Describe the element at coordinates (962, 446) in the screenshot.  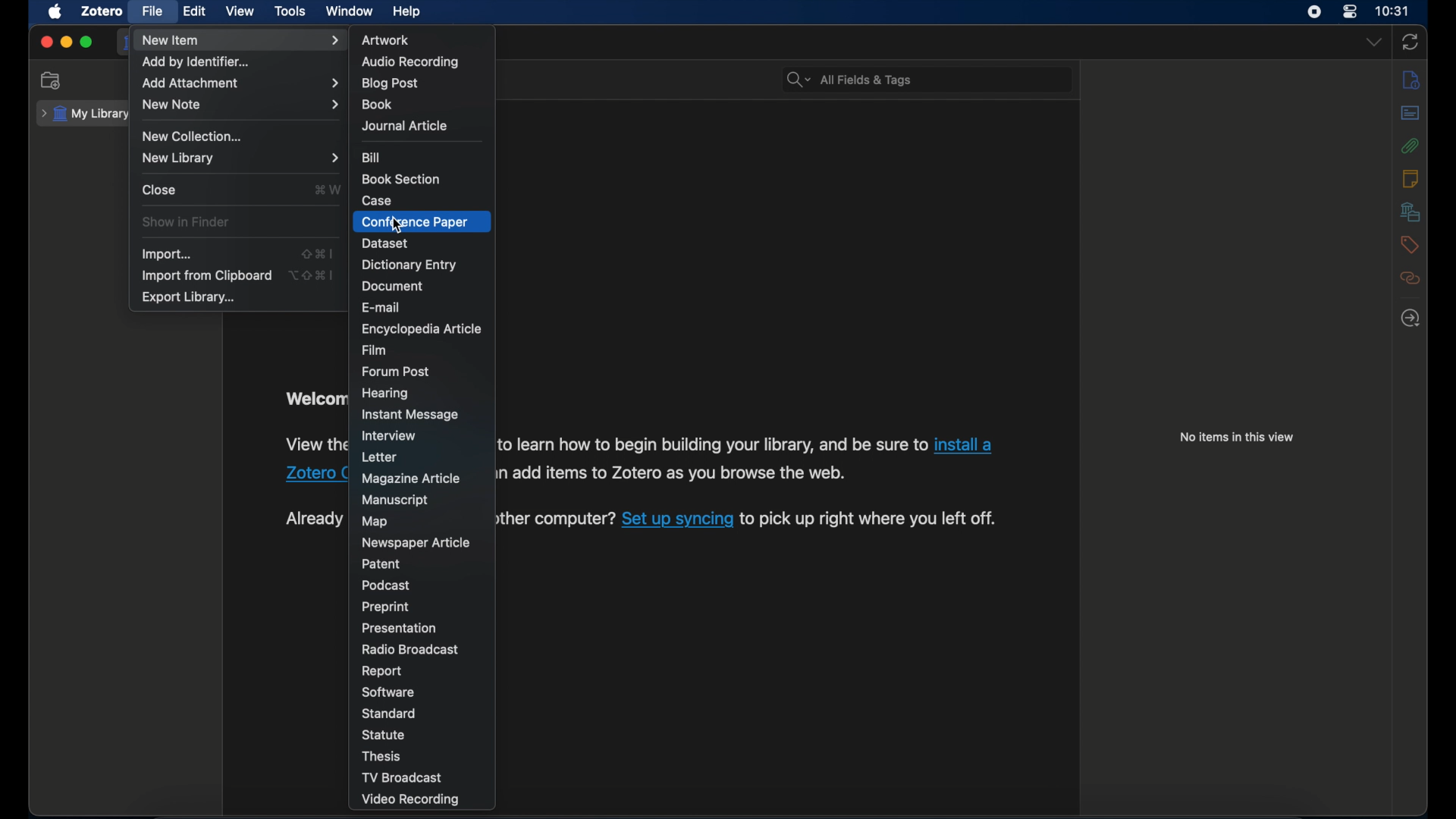
I see `link` at that location.